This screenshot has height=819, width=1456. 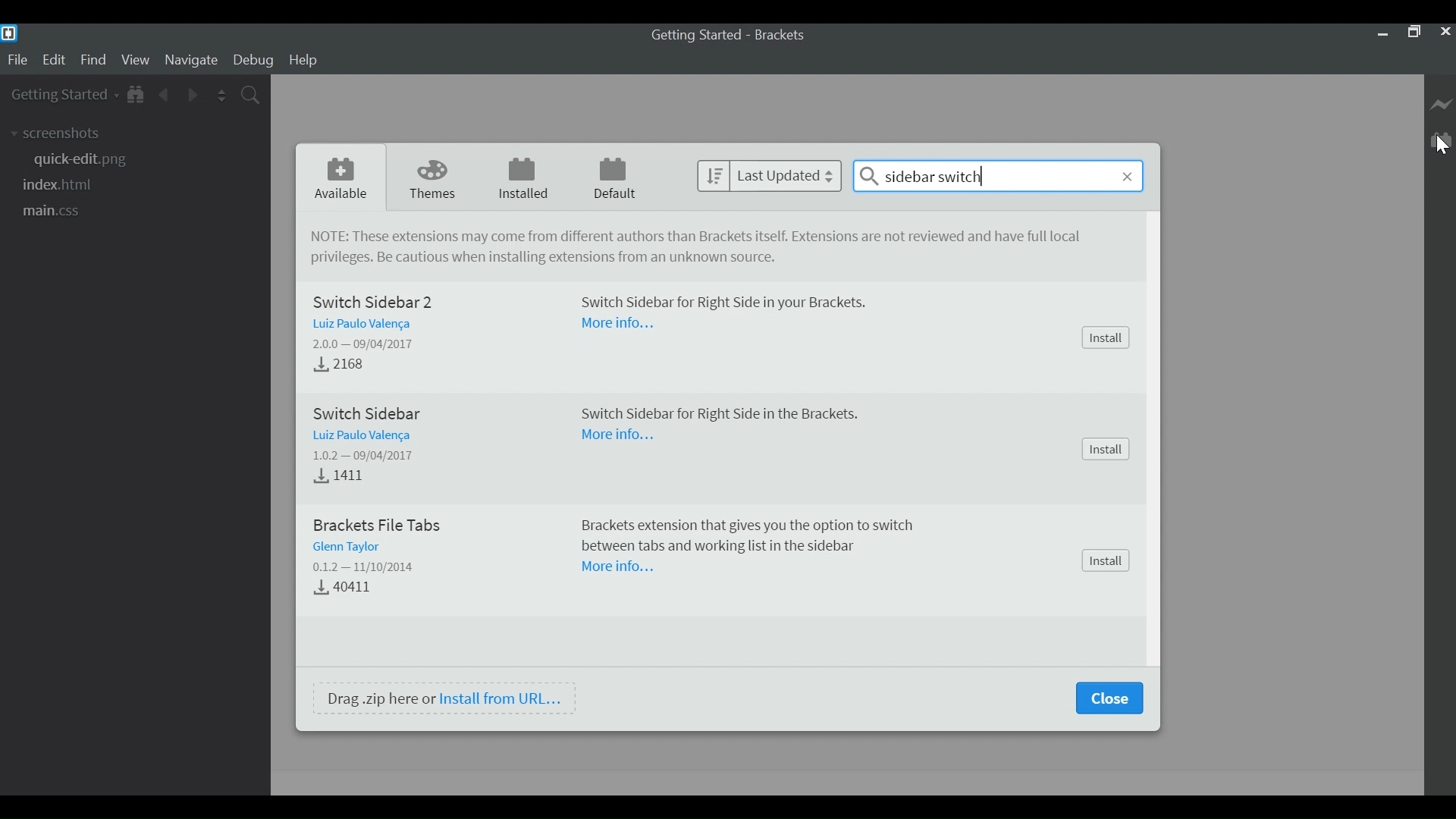 I want to click on main.css, so click(x=60, y=209).